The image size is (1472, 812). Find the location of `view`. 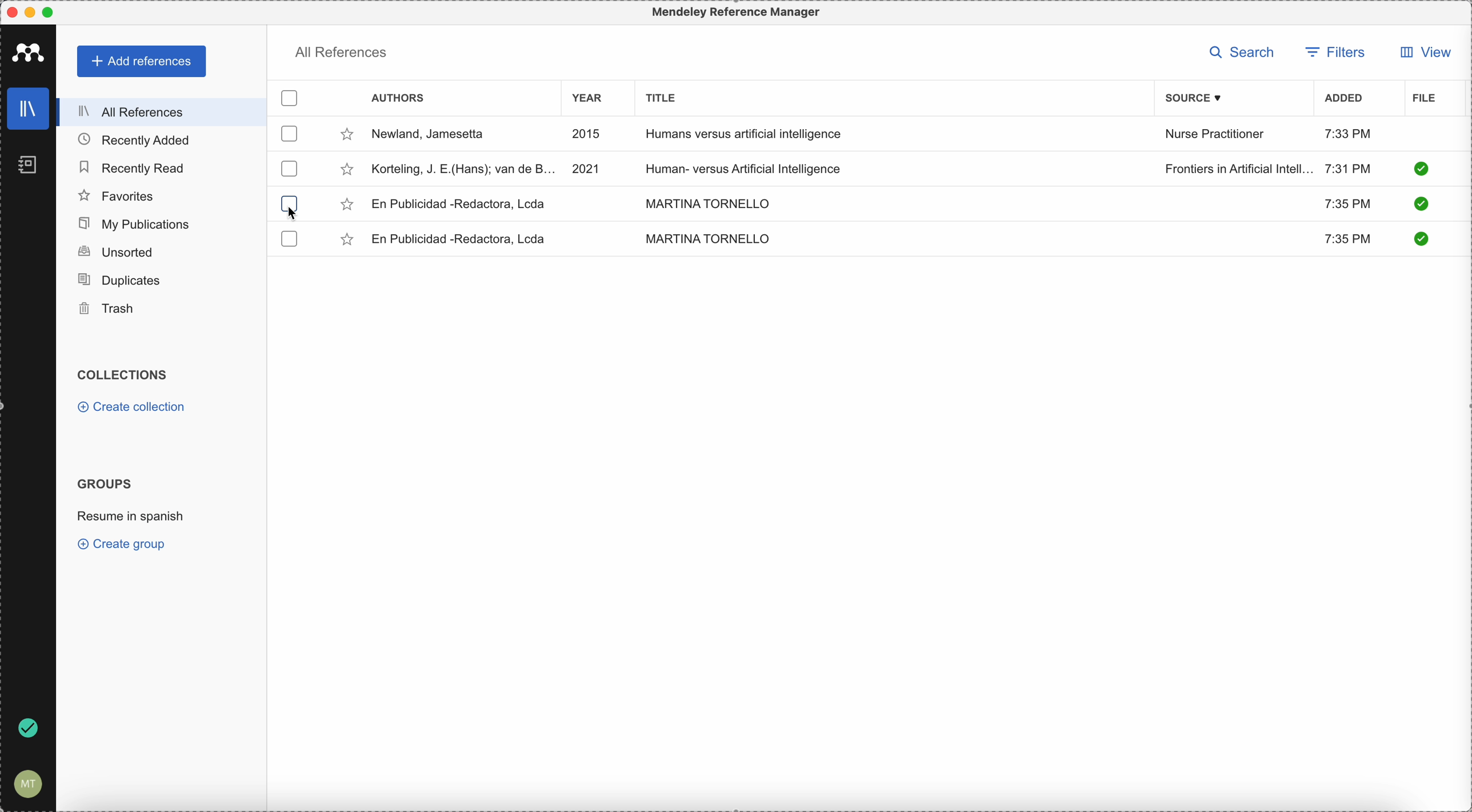

view is located at coordinates (1422, 52).